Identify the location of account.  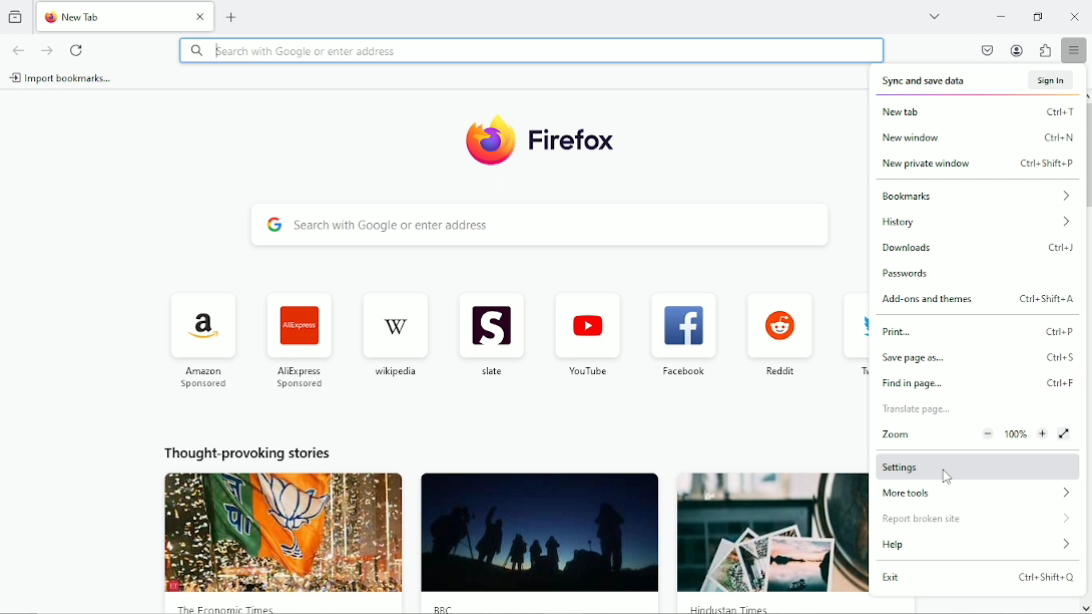
(1017, 50).